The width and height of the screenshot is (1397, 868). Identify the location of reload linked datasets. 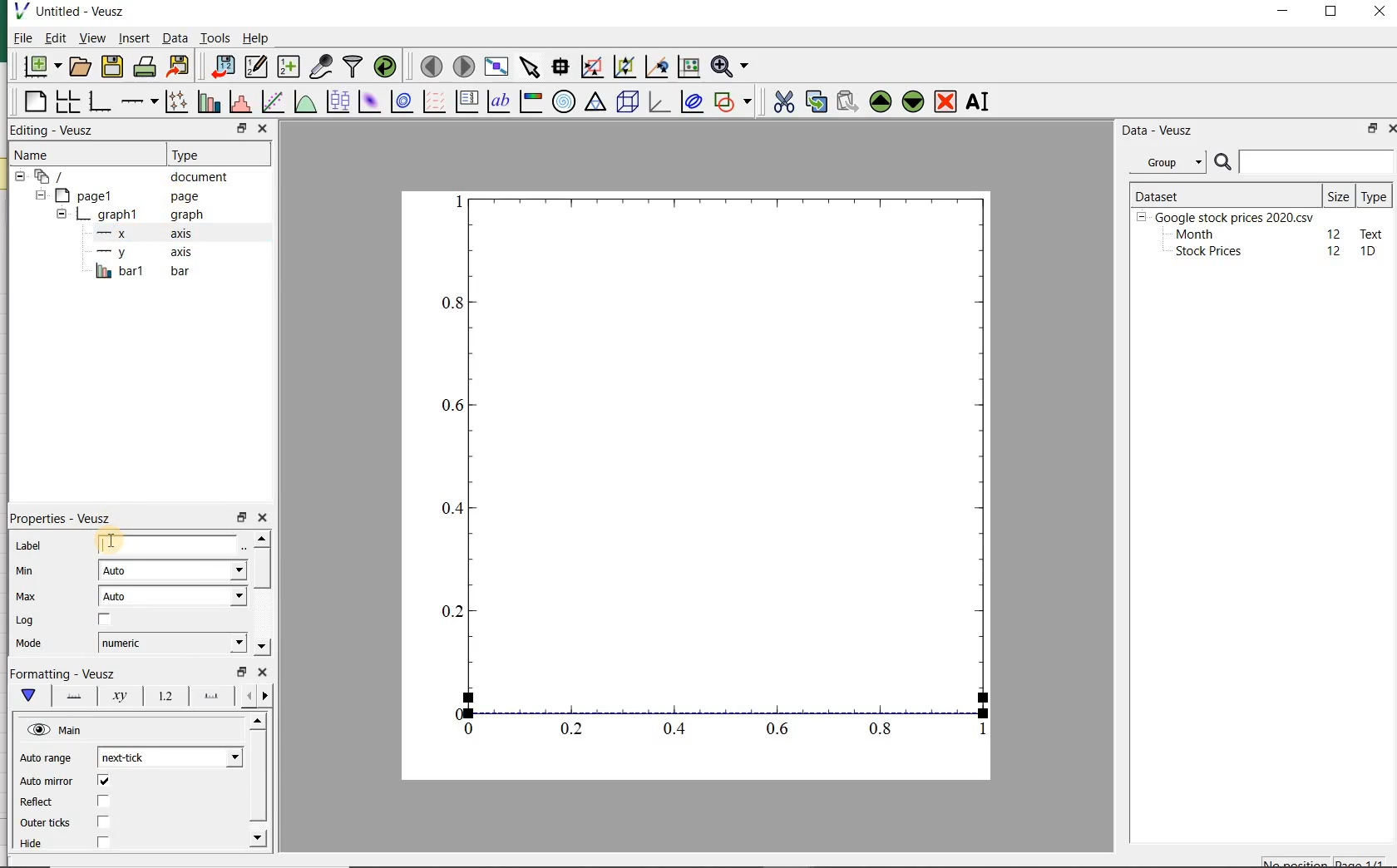
(388, 67).